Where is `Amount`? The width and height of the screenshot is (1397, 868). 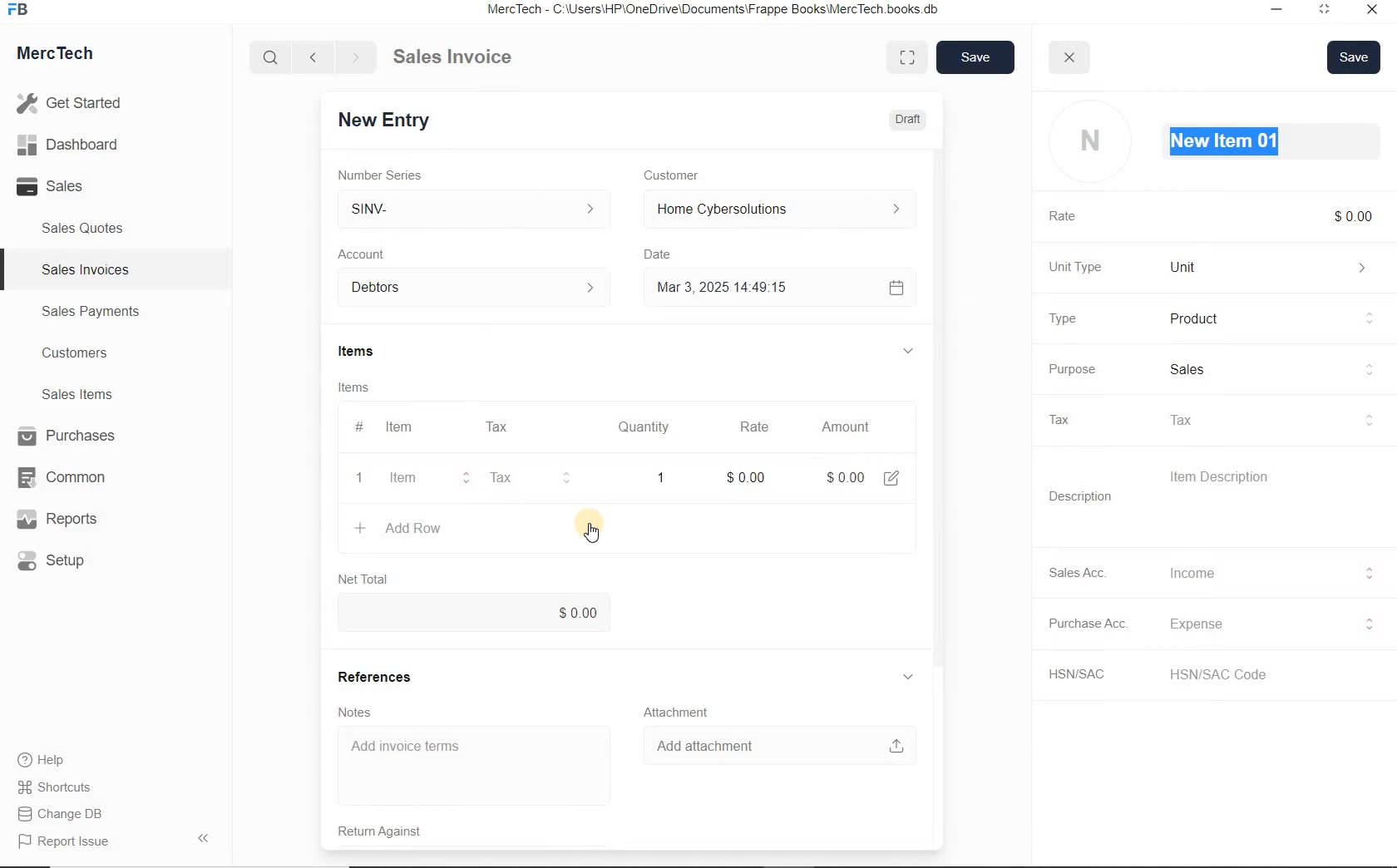 Amount is located at coordinates (842, 427).